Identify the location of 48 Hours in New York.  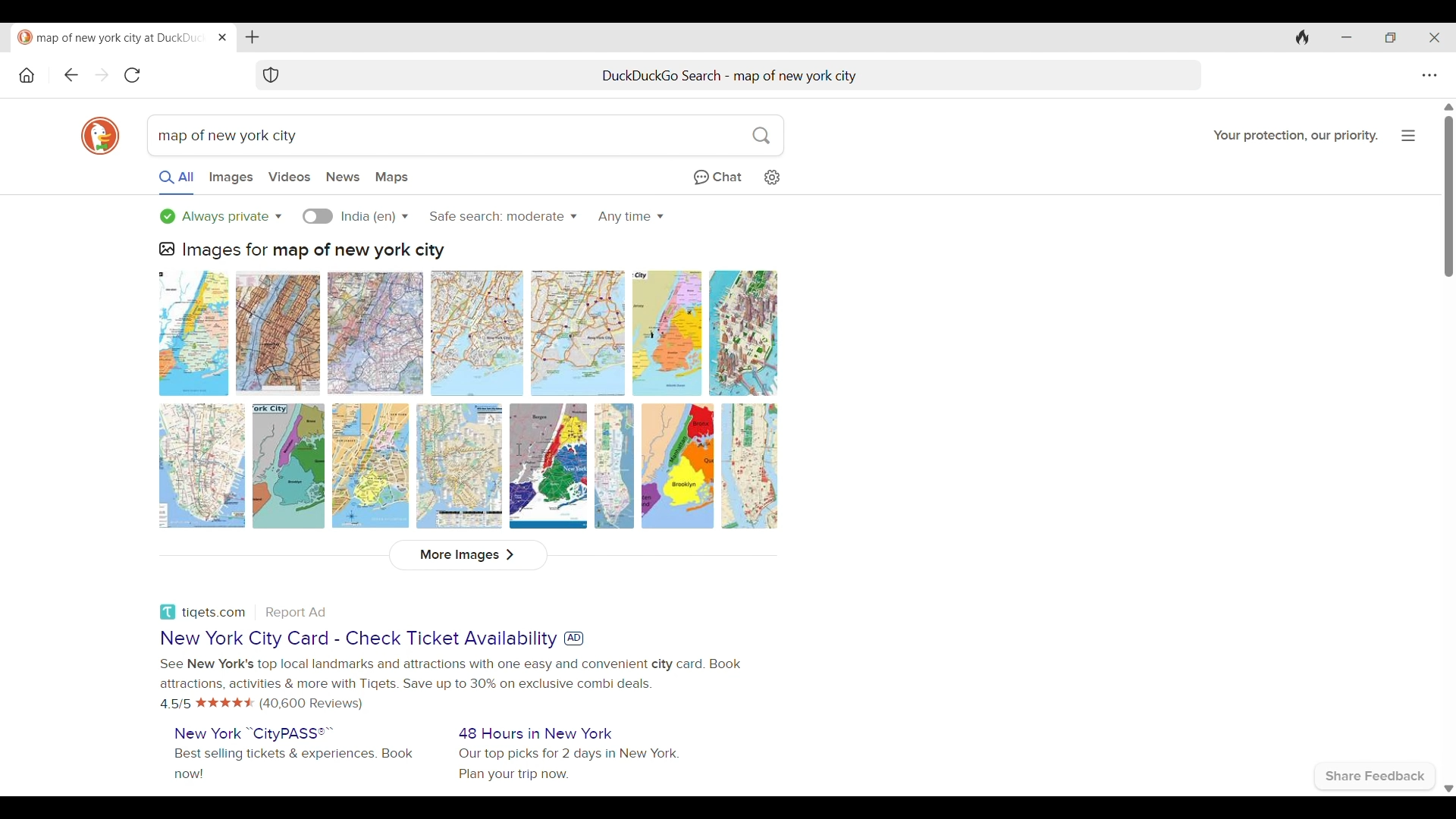
(535, 733).